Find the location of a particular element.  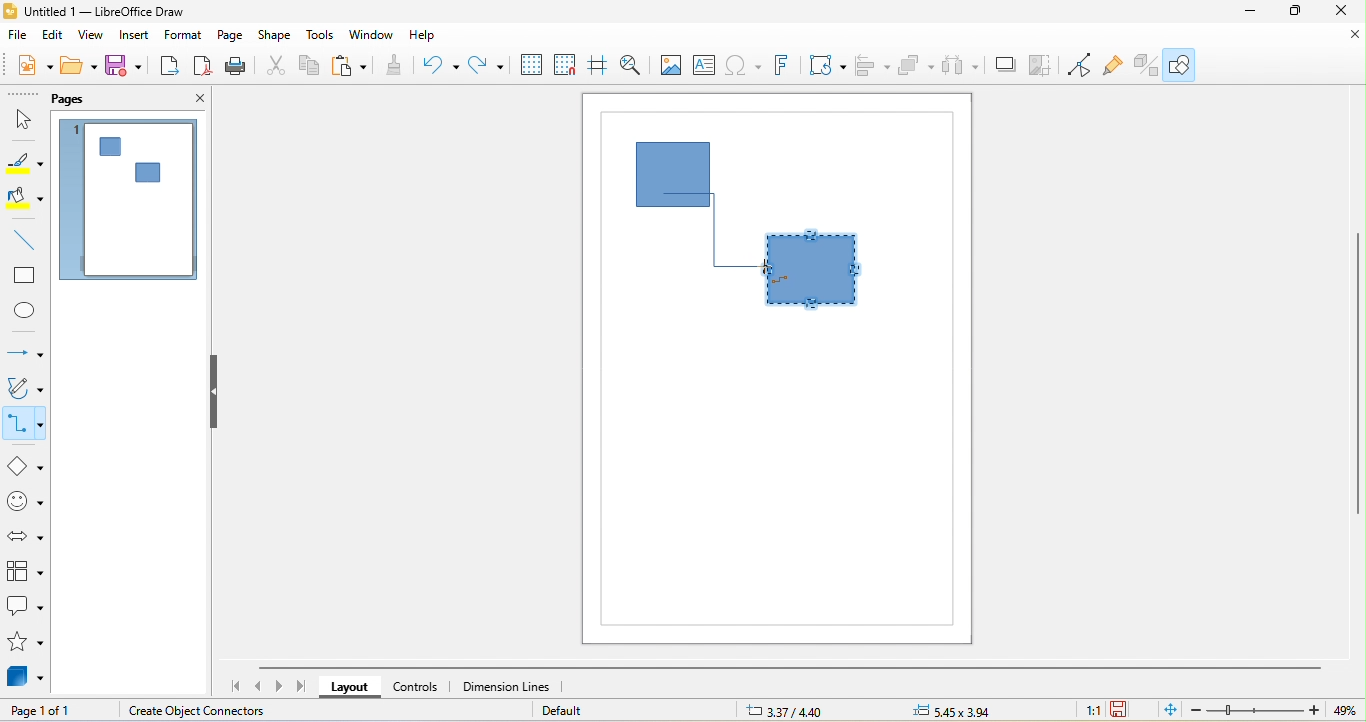

cut is located at coordinates (275, 67).